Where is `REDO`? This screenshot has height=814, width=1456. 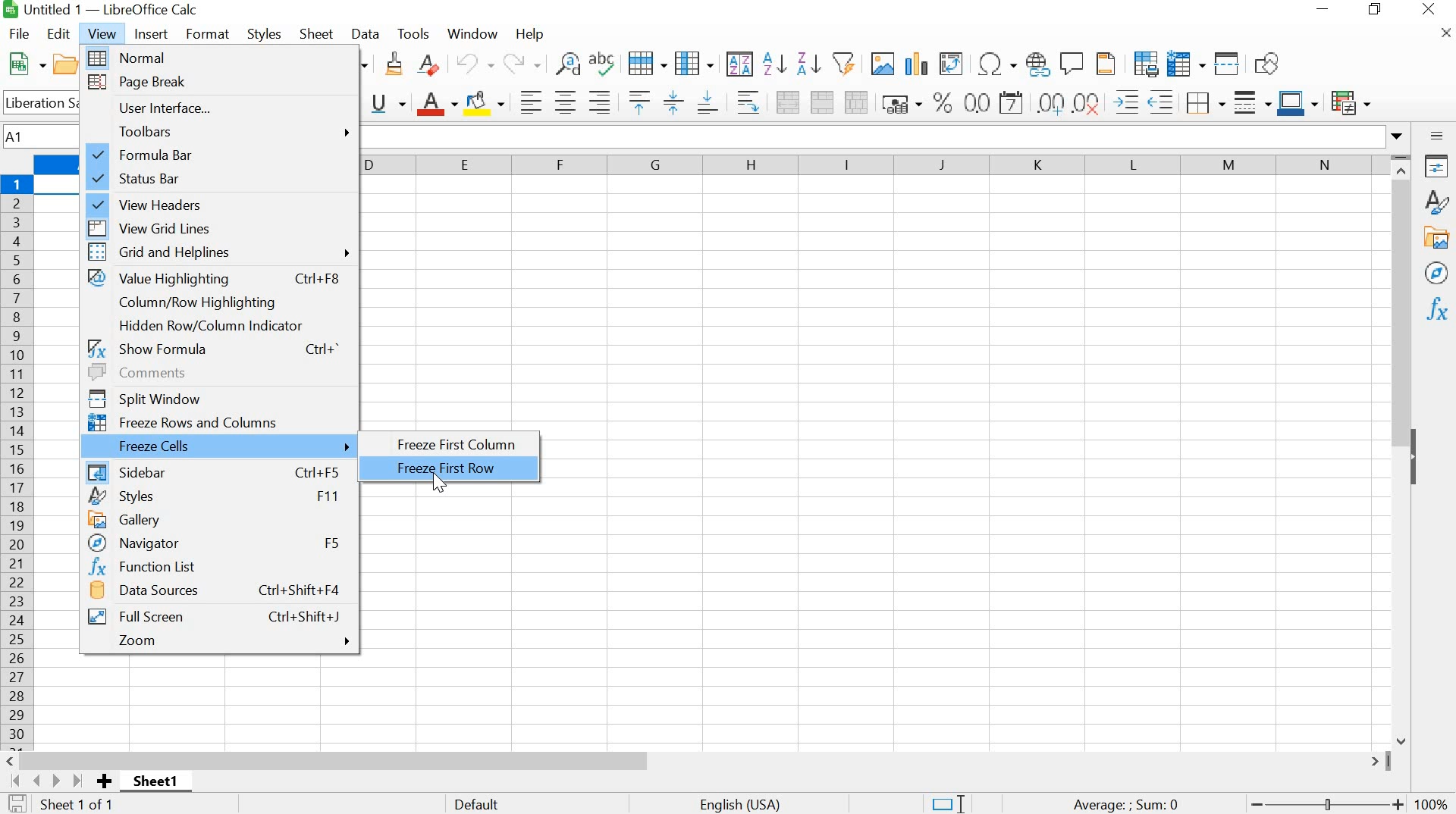
REDO is located at coordinates (522, 64).